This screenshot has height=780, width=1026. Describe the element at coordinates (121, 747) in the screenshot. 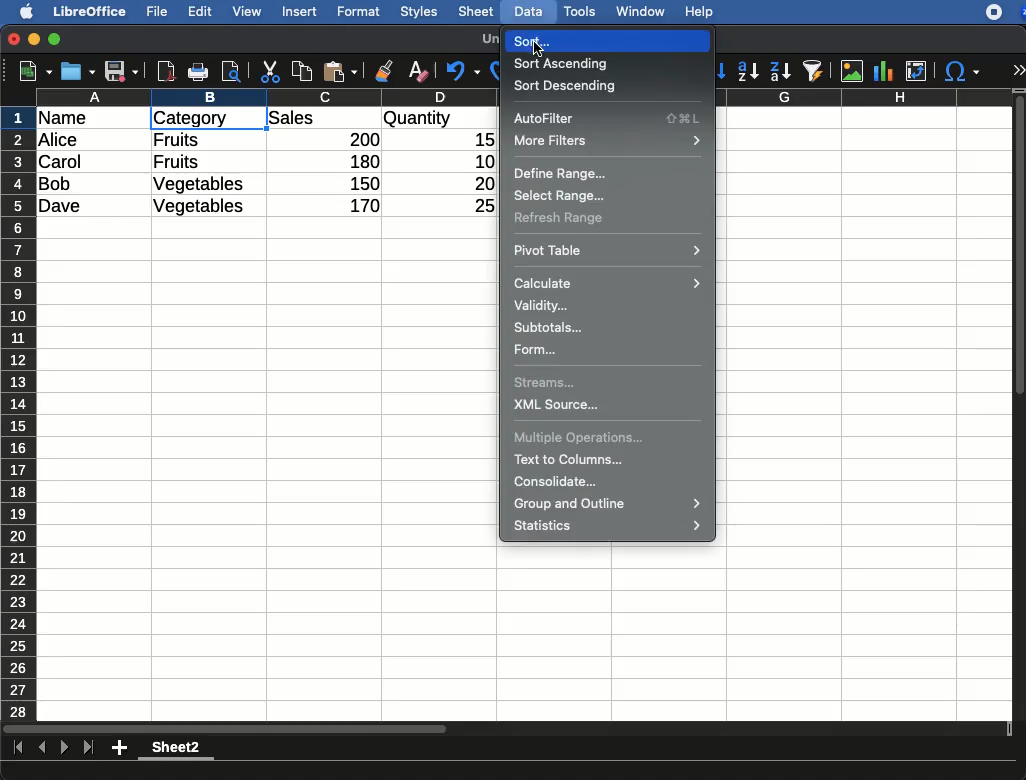

I see `add` at that location.